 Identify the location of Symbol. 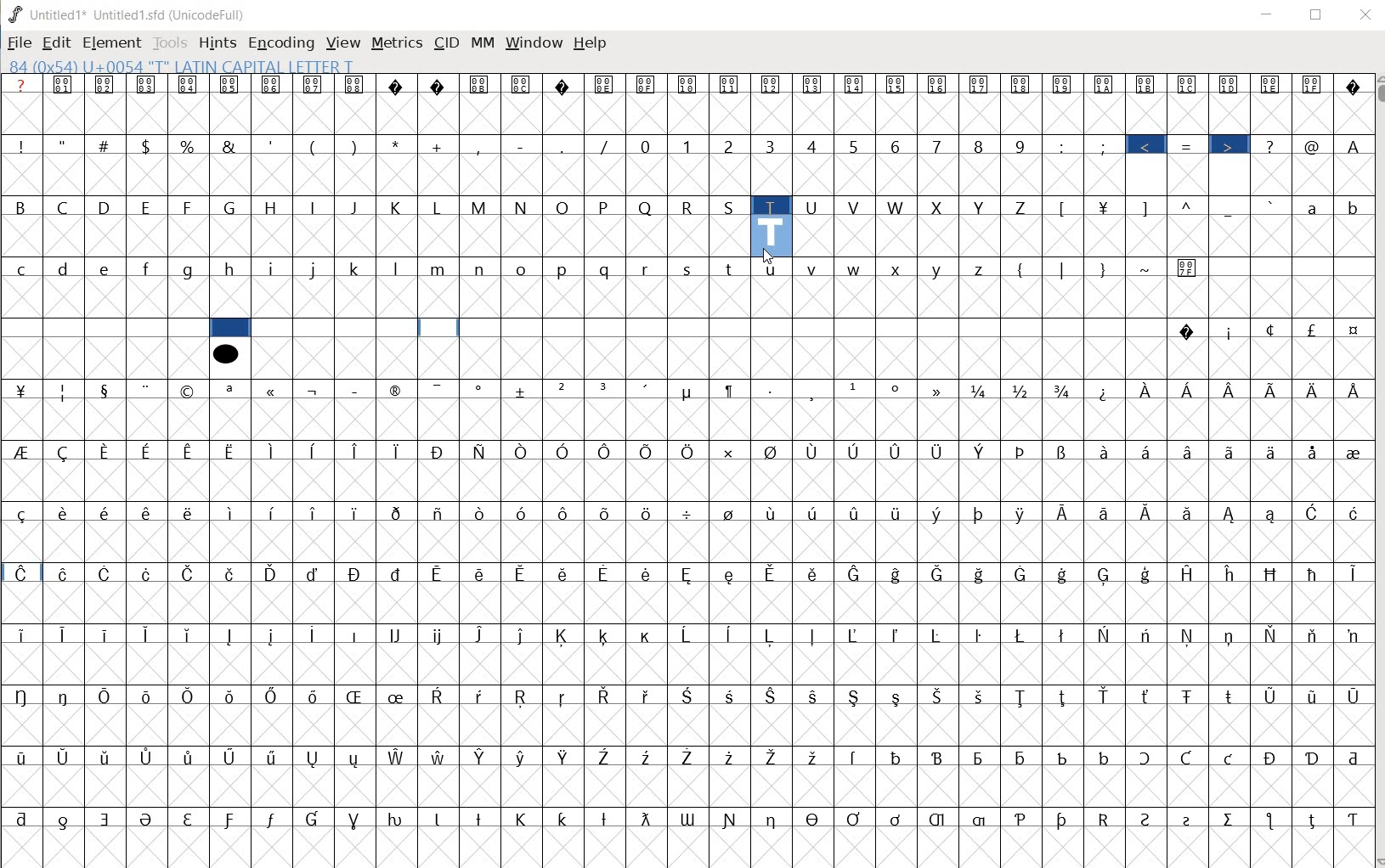
(20, 513).